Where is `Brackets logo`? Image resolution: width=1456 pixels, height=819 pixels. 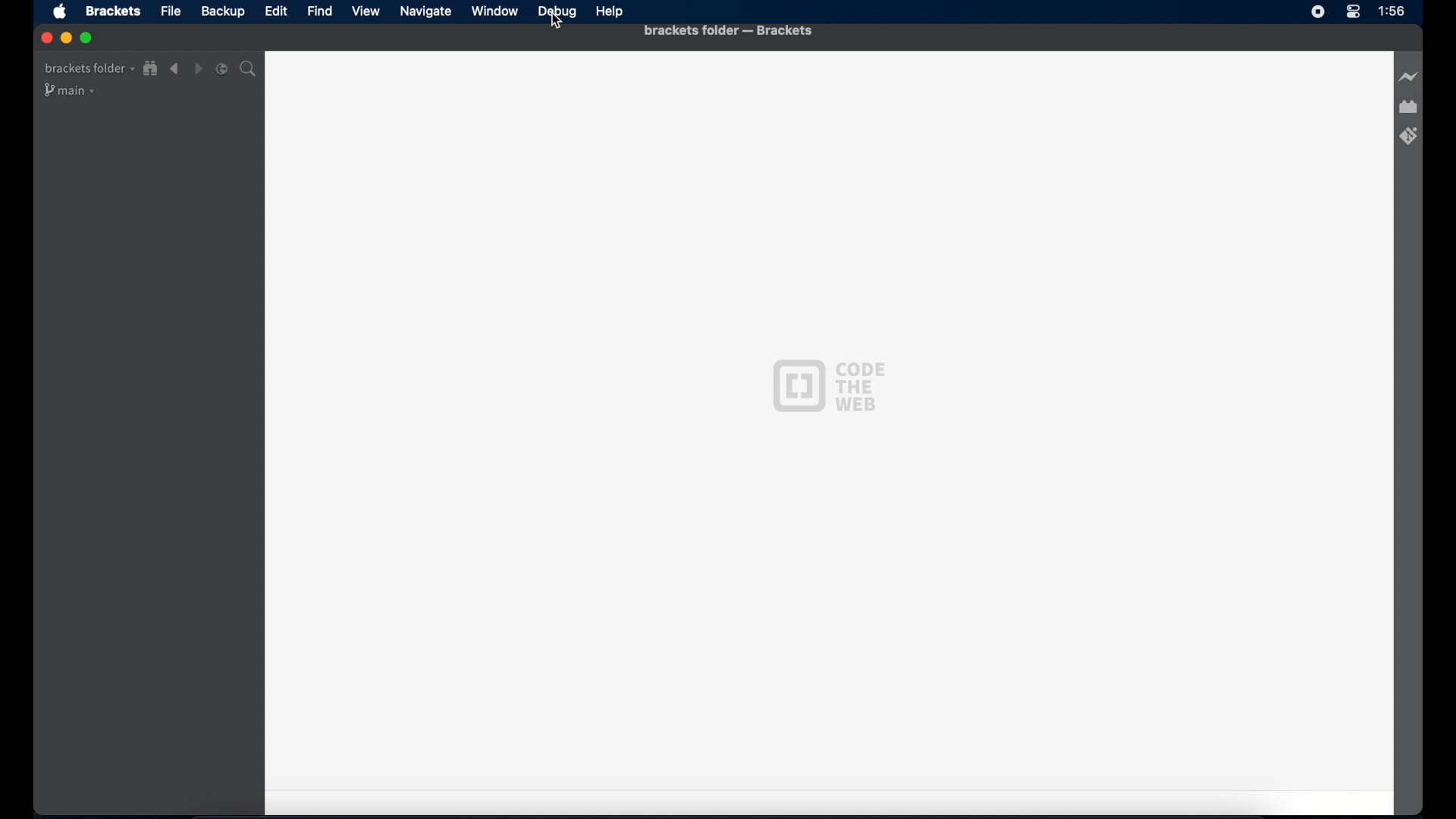 Brackets logo is located at coordinates (795, 384).